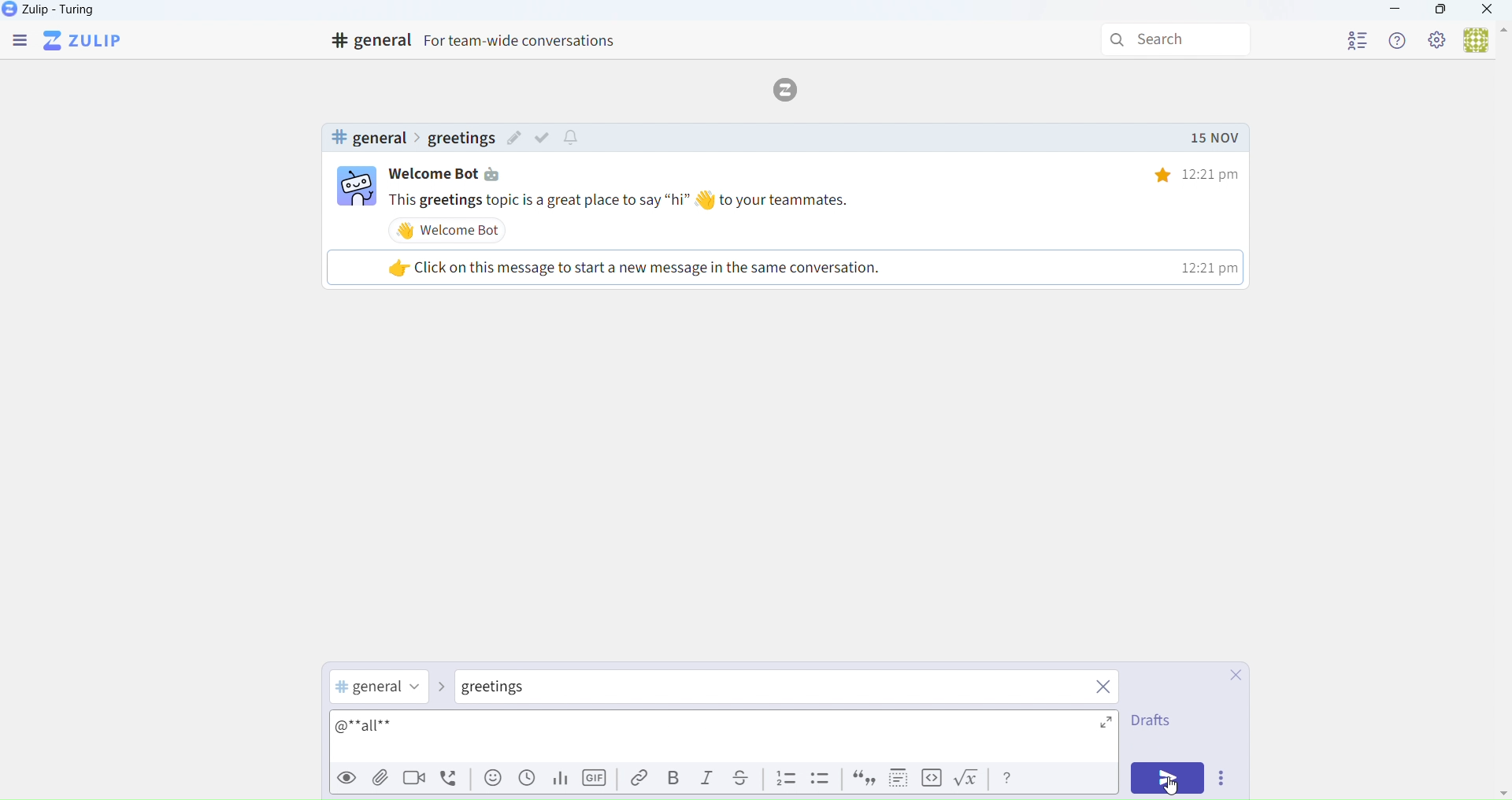 This screenshot has height=800, width=1512. I want to click on Spoiler, so click(894, 778).